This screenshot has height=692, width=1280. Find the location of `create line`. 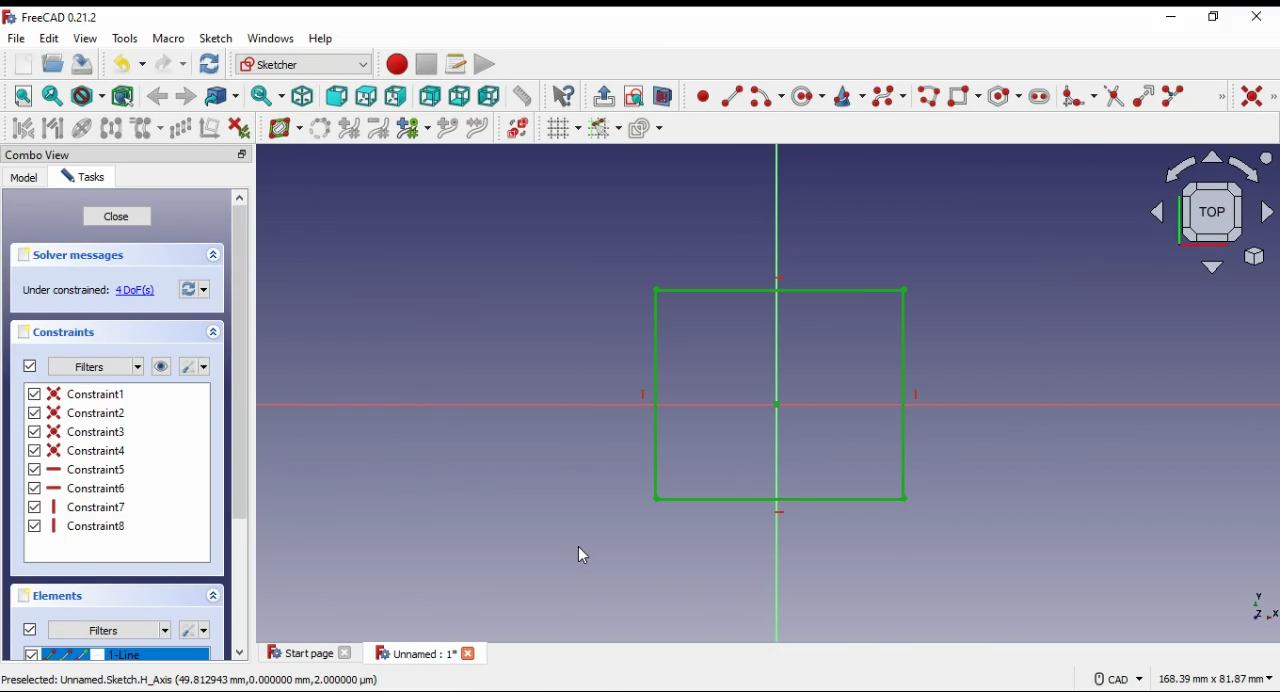

create line is located at coordinates (732, 96).